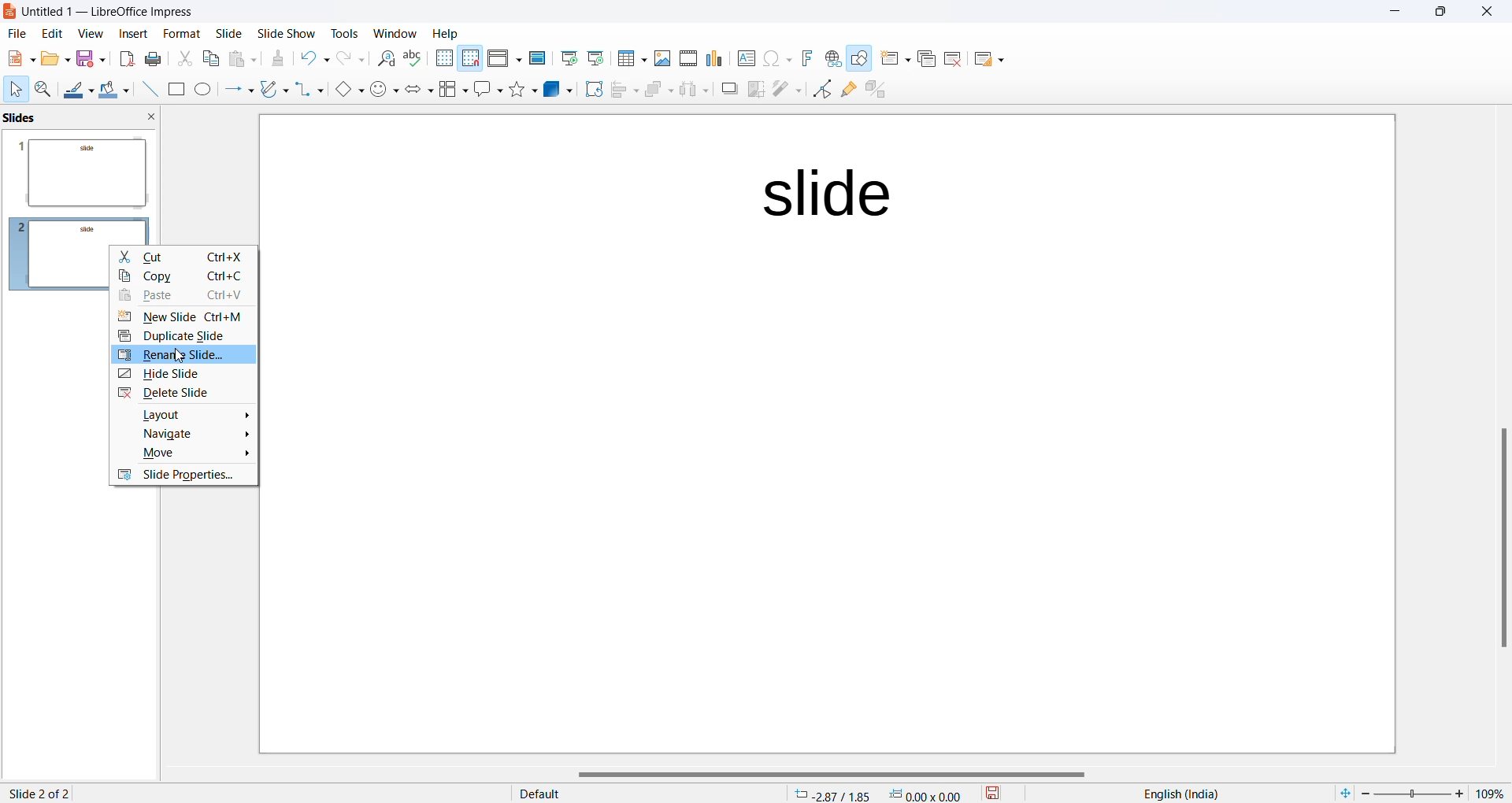  Describe the element at coordinates (282, 60) in the screenshot. I see `Clone formatting` at that location.